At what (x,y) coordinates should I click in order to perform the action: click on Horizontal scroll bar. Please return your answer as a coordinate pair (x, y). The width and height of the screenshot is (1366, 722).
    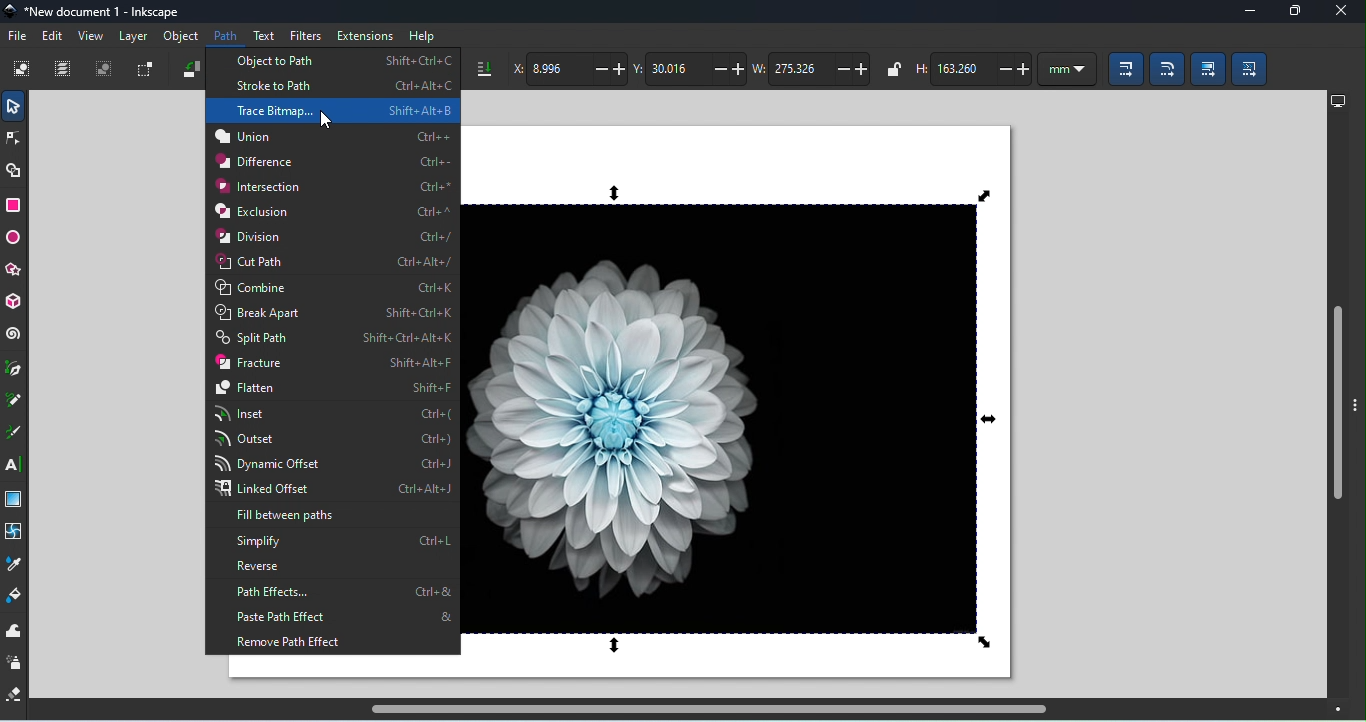
    Looking at the image, I should click on (706, 713).